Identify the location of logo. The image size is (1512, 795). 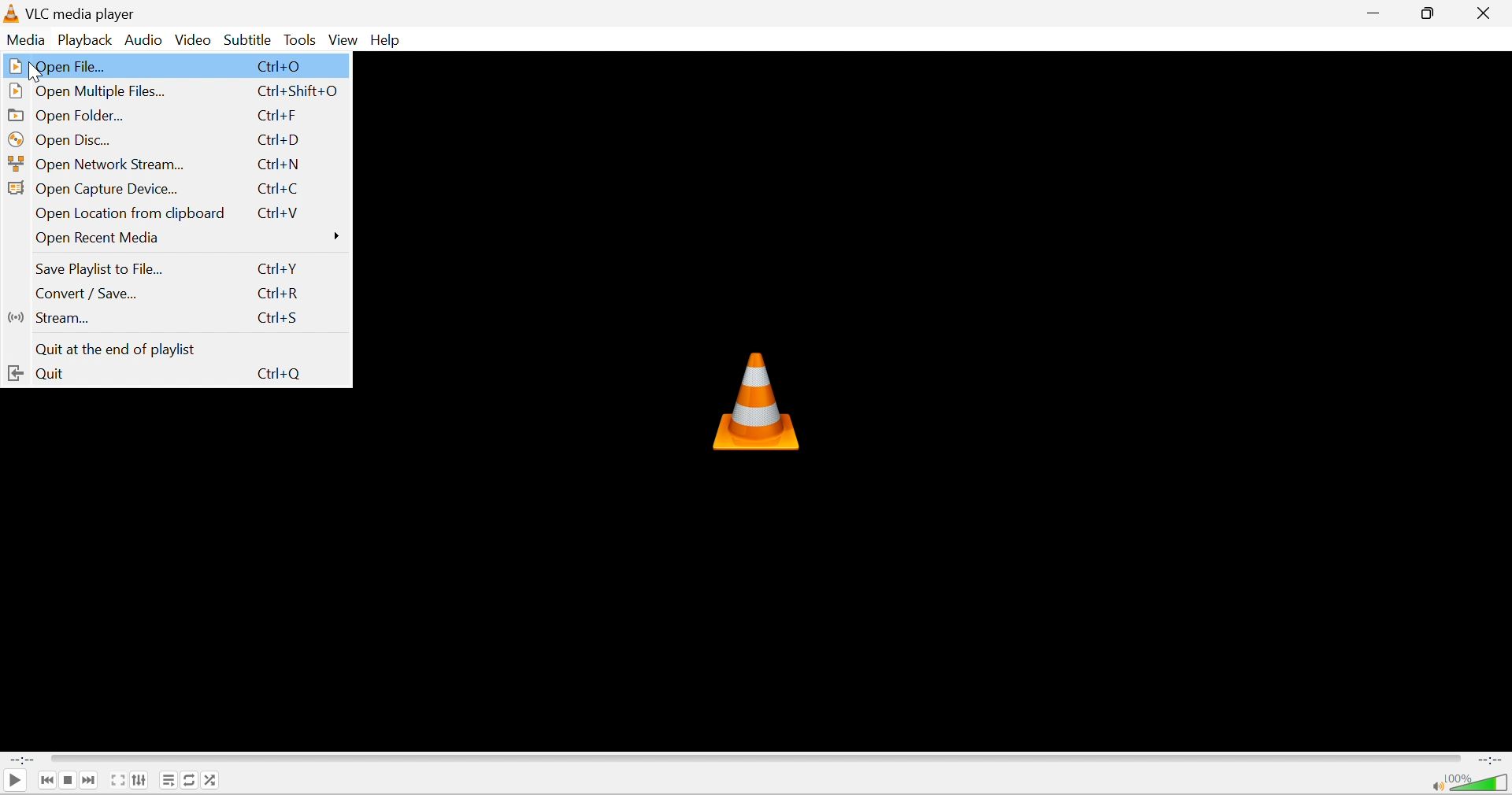
(13, 14).